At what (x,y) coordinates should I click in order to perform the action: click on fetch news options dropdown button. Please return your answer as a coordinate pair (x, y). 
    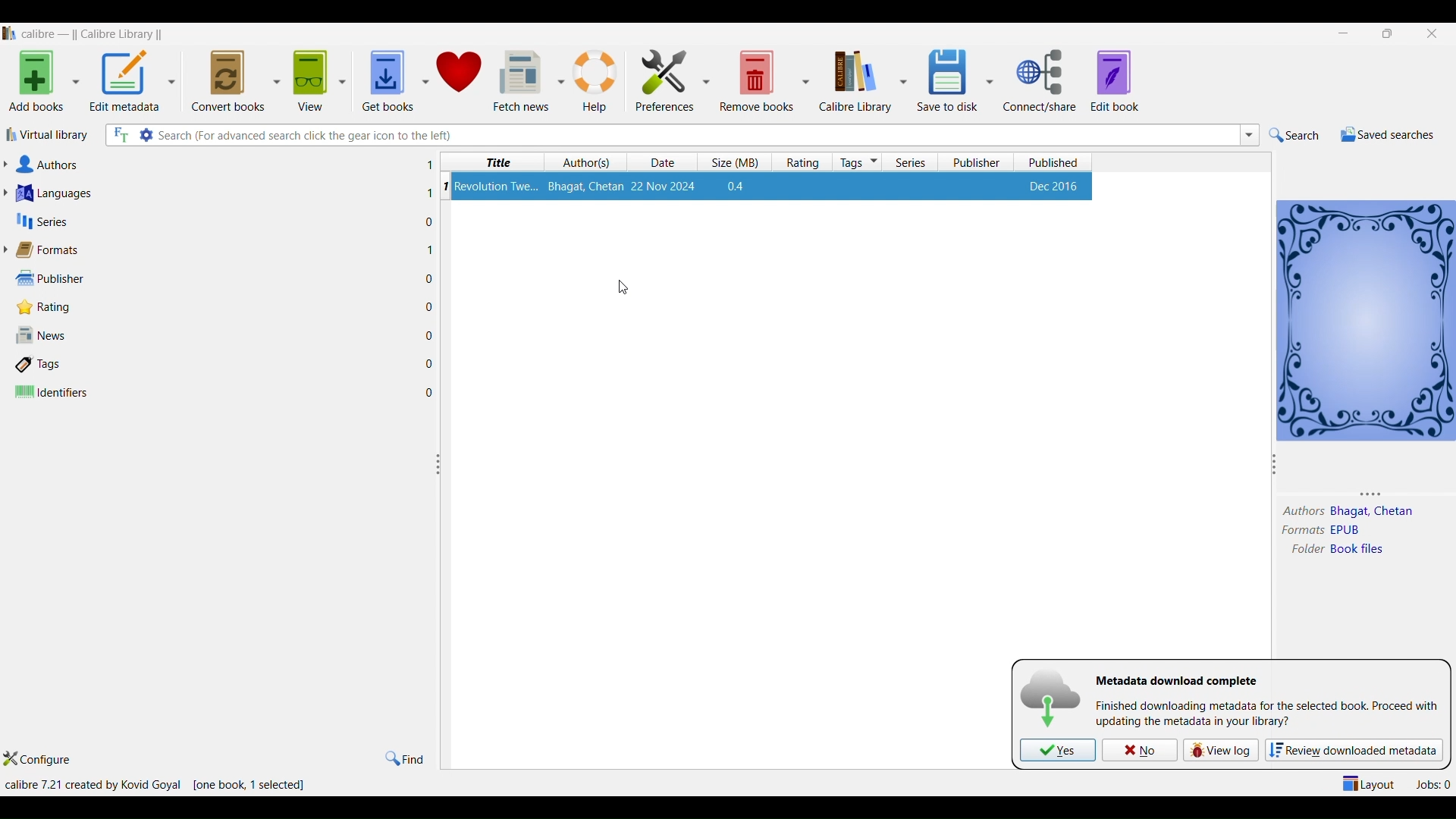
    Looking at the image, I should click on (562, 75).